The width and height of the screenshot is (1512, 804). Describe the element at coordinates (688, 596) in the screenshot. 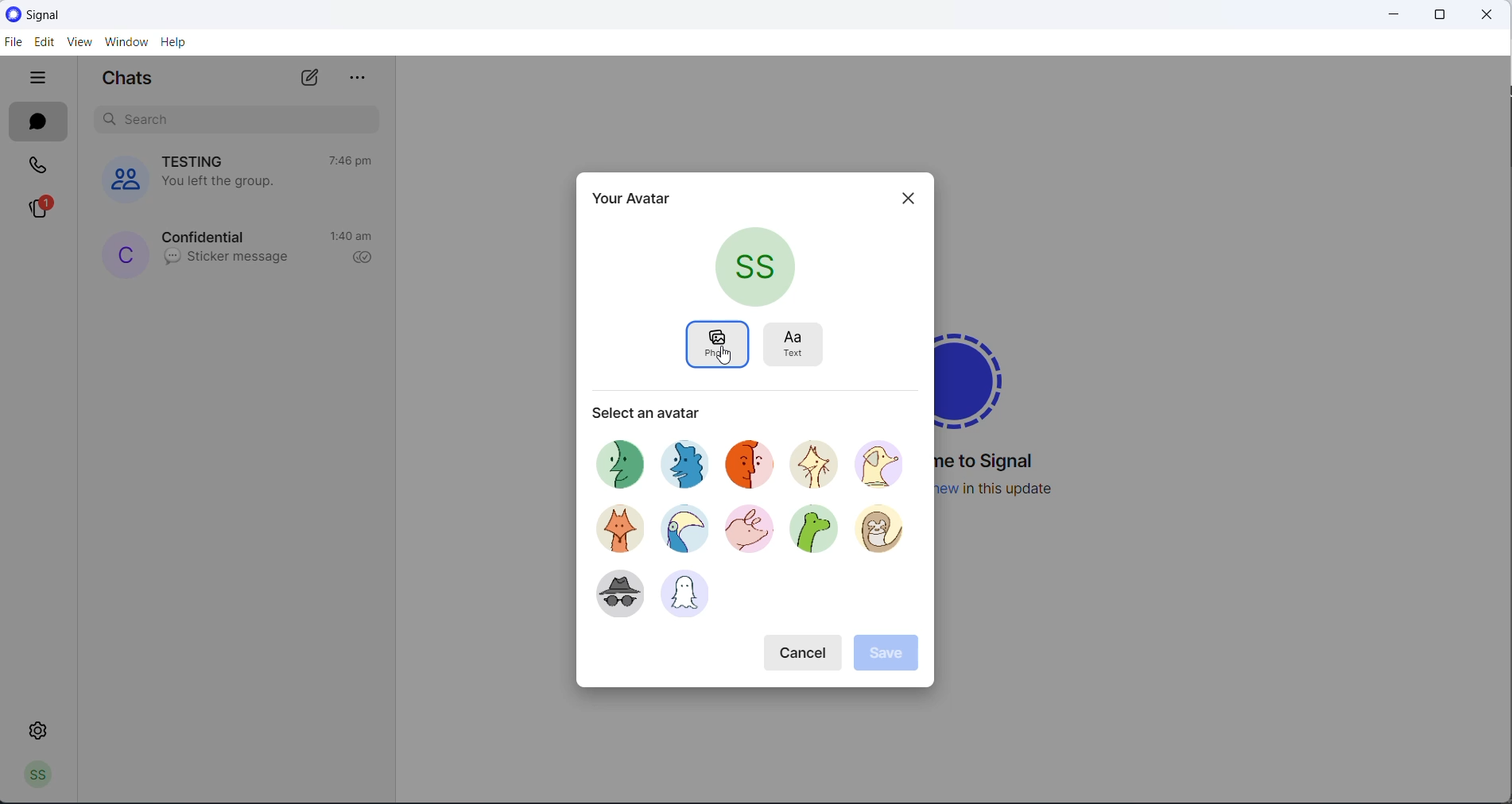

I see `avatar` at that location.